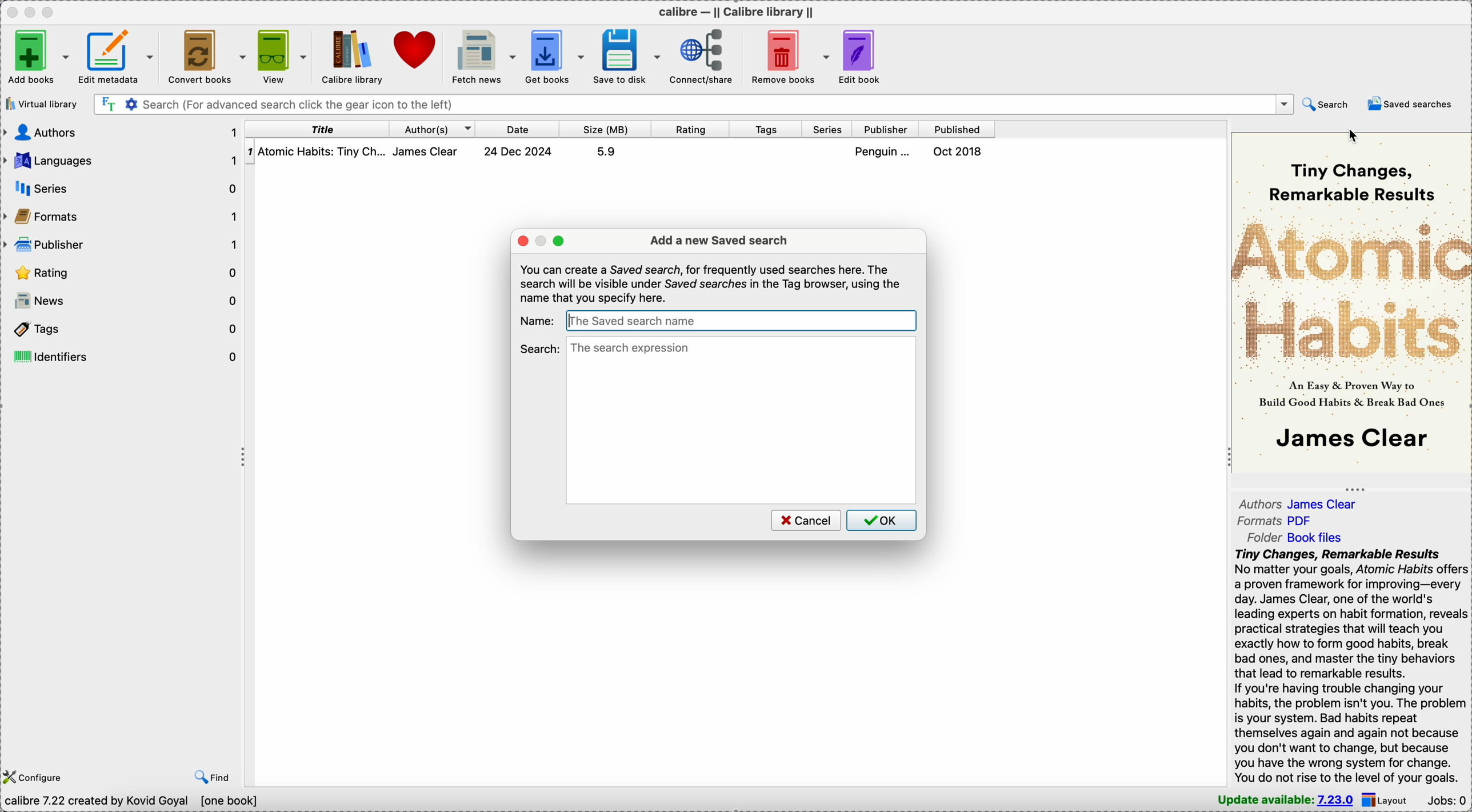 Image resolution: width=1472 pixels, height=812 pixels. What do you see at coordinates (213, 775) in the screenshot?
I see `find` at bounding box center [213, 775].